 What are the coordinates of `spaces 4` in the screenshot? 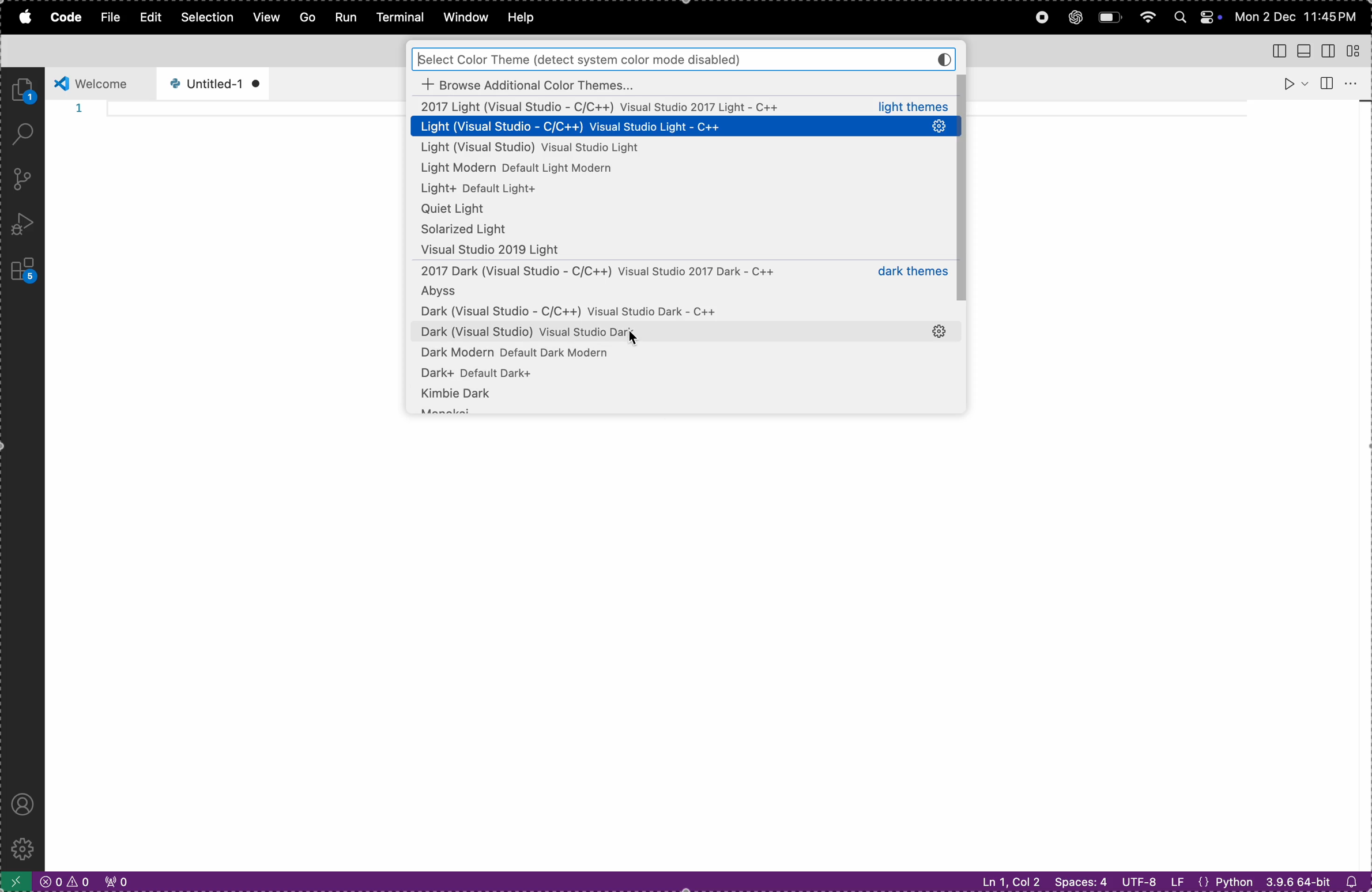 It's located at (1080, 880).